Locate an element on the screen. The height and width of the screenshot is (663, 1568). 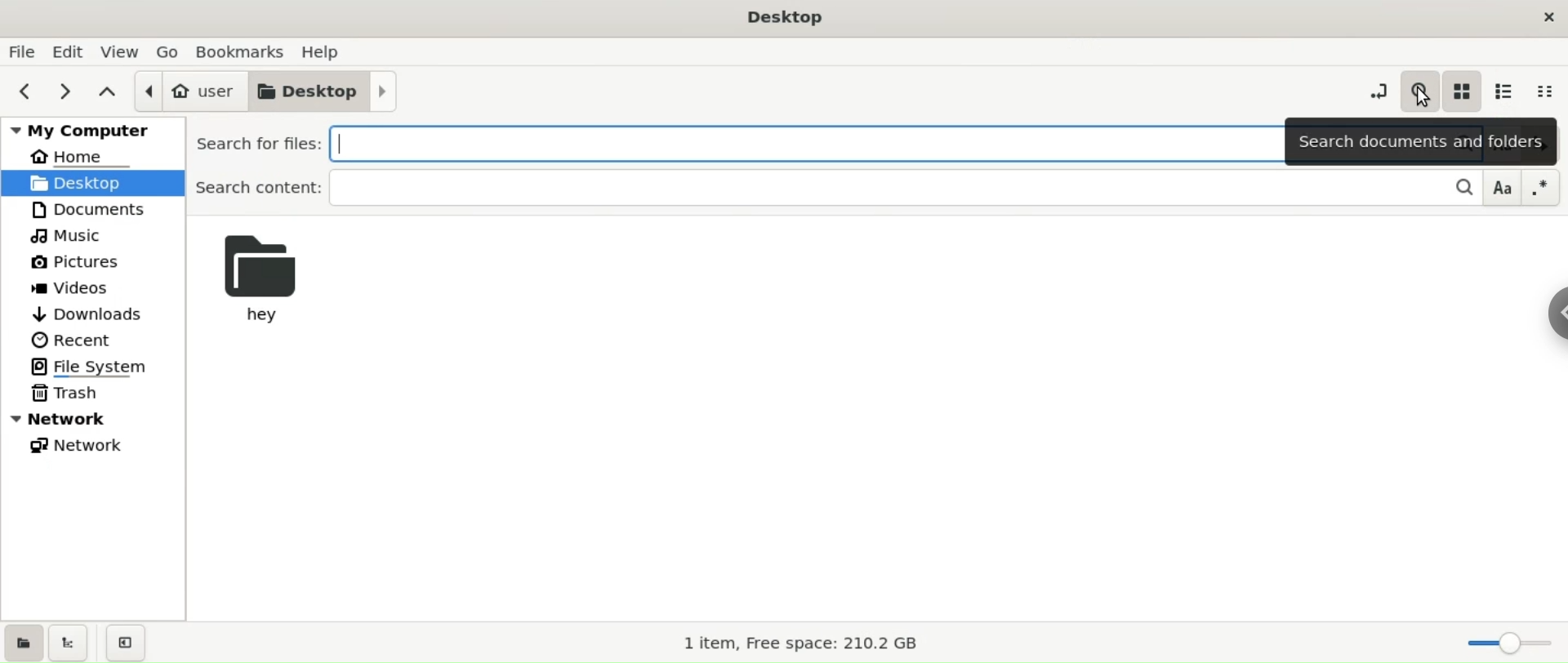
desktop is located at coordinates (326, 93).